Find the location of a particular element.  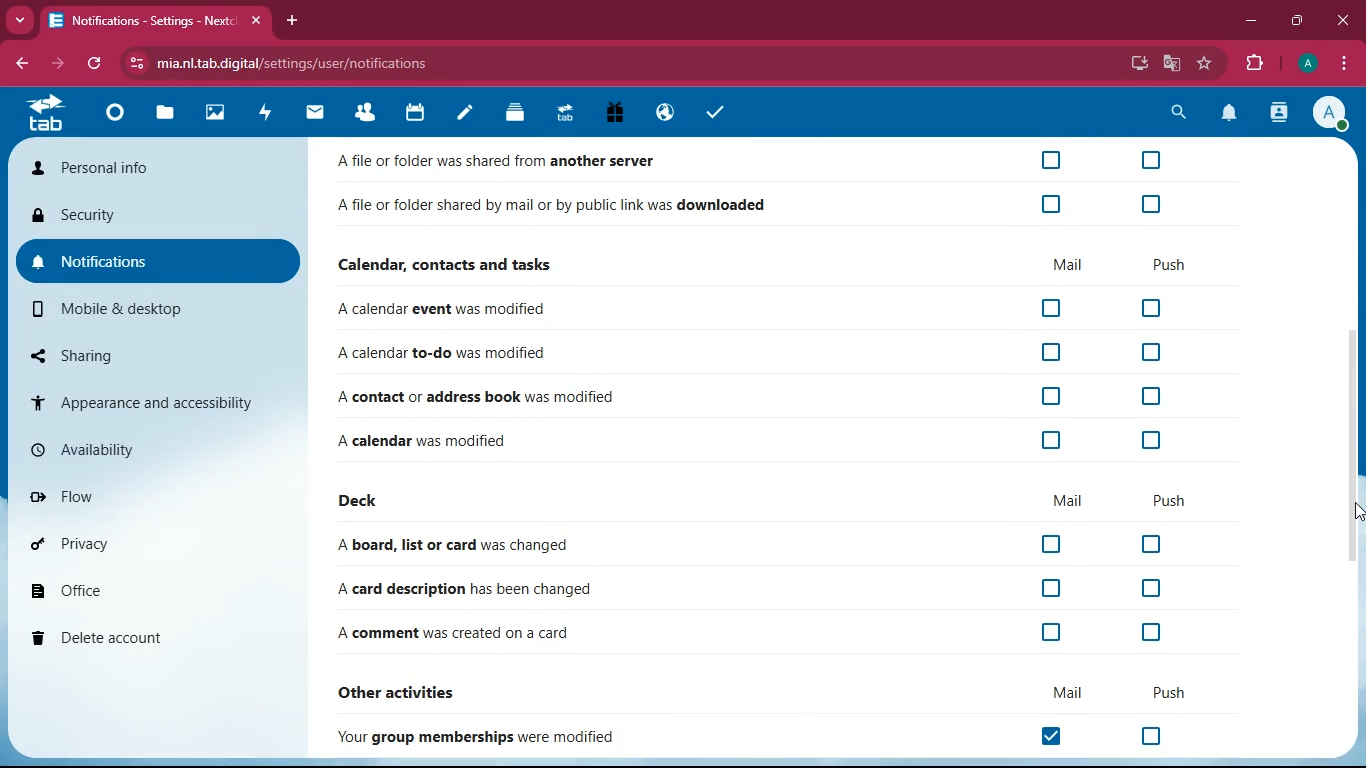

off is located at coordinates (1153, 201).